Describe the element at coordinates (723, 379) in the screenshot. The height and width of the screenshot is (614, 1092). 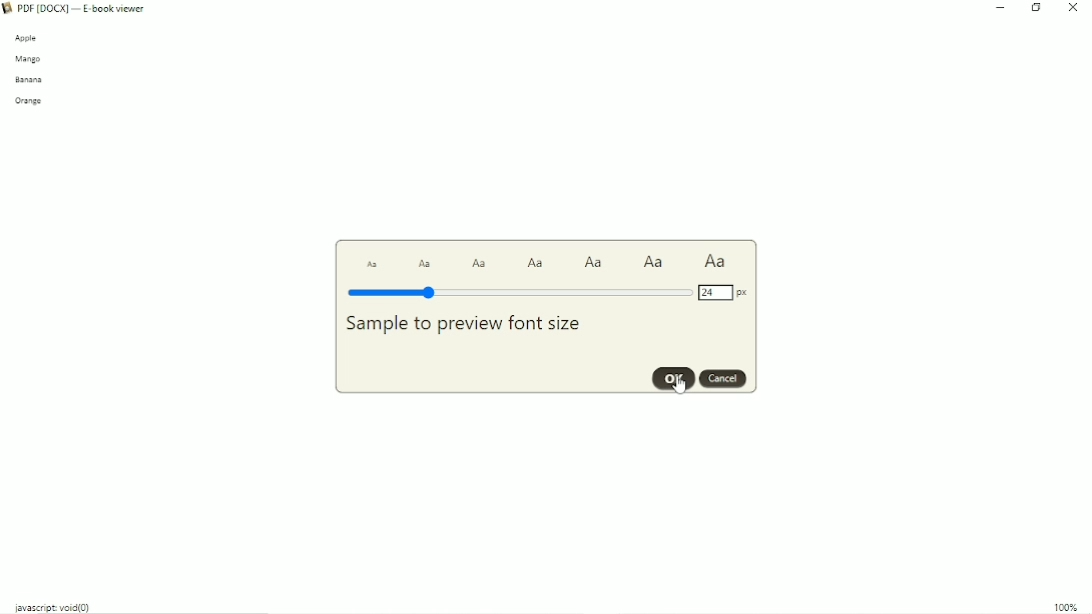
I see `Cancel` at that location.